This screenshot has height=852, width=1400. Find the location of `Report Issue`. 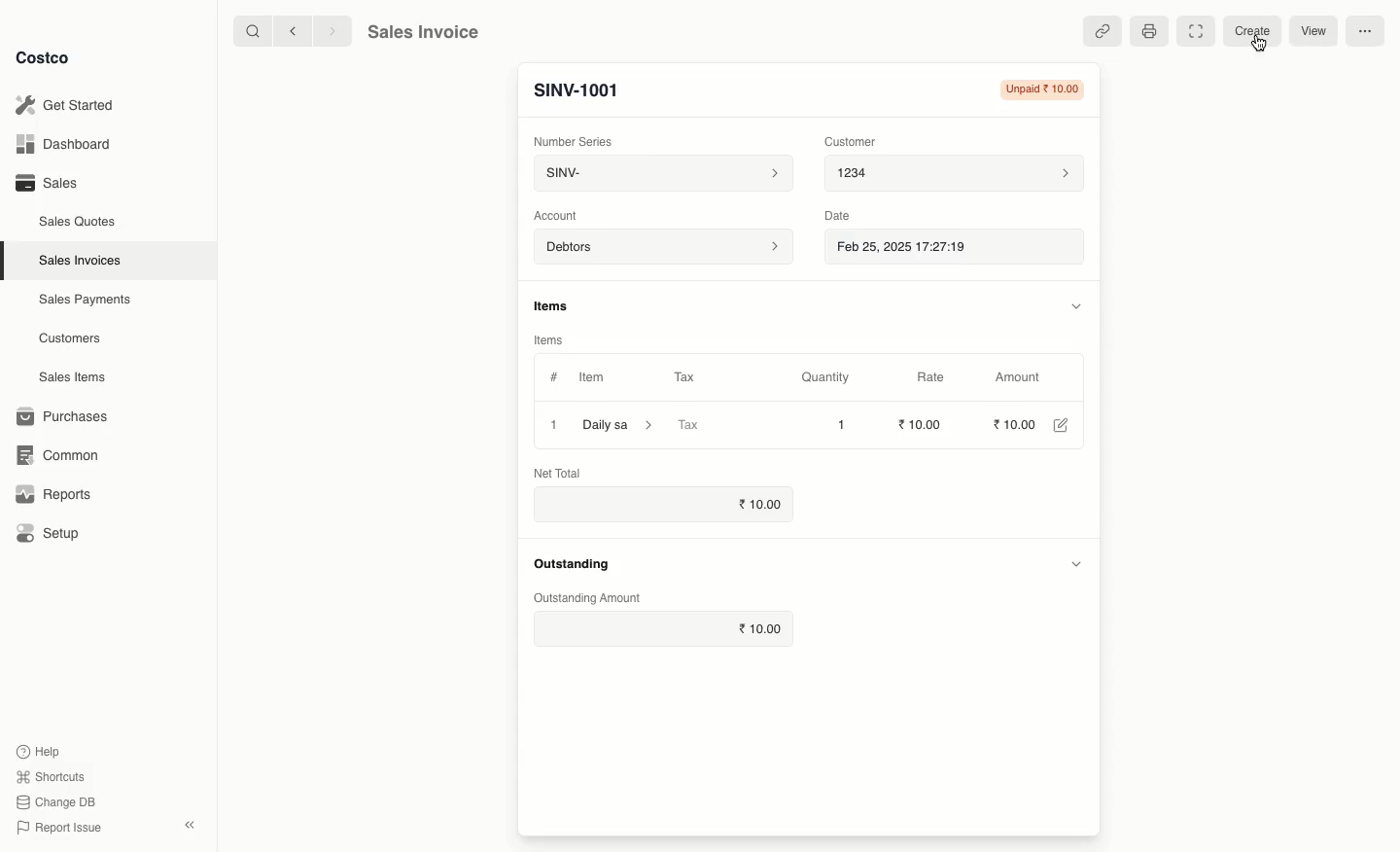

Report Issue is located at coordinates (61, 828).